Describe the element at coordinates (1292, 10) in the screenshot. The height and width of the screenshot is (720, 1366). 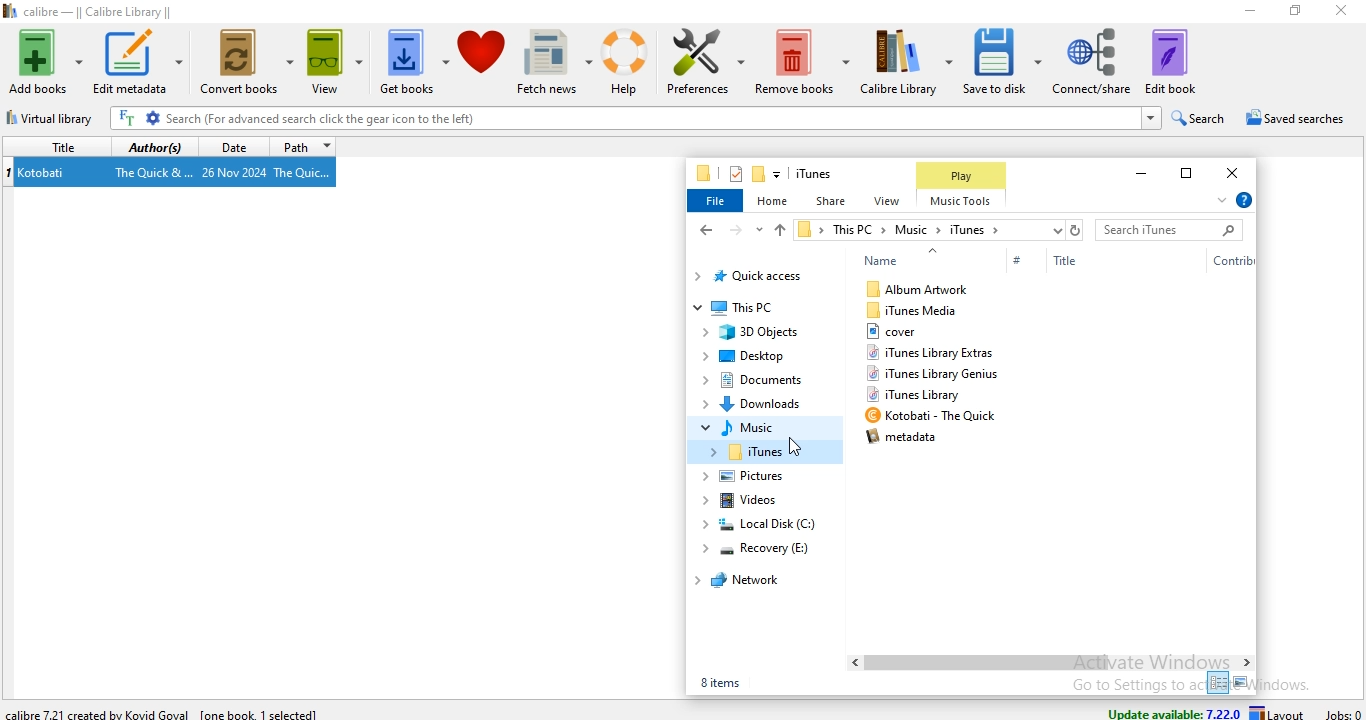
I see `restore` at that location.